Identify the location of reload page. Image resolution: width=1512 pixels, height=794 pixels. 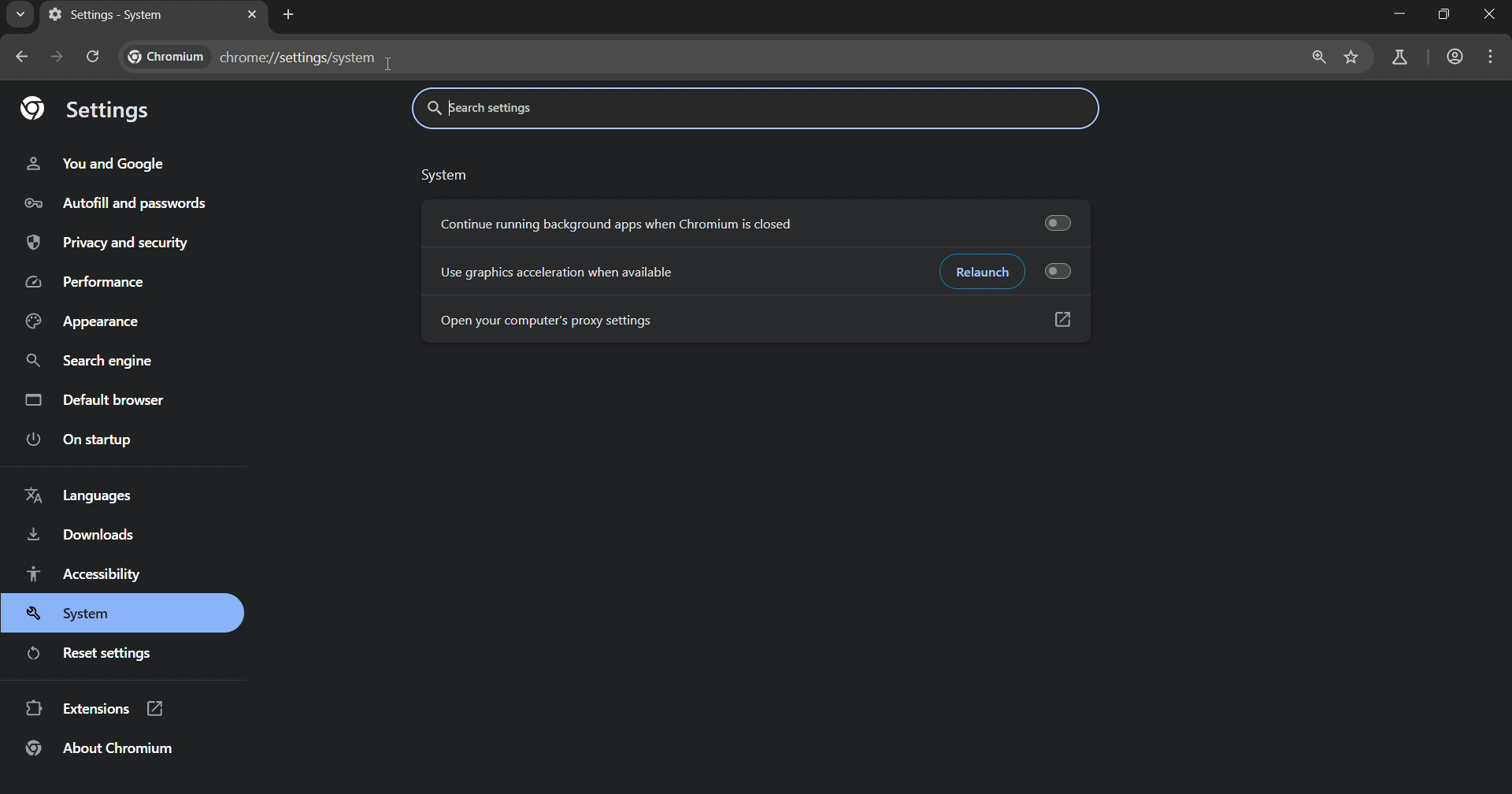
(92, 59).